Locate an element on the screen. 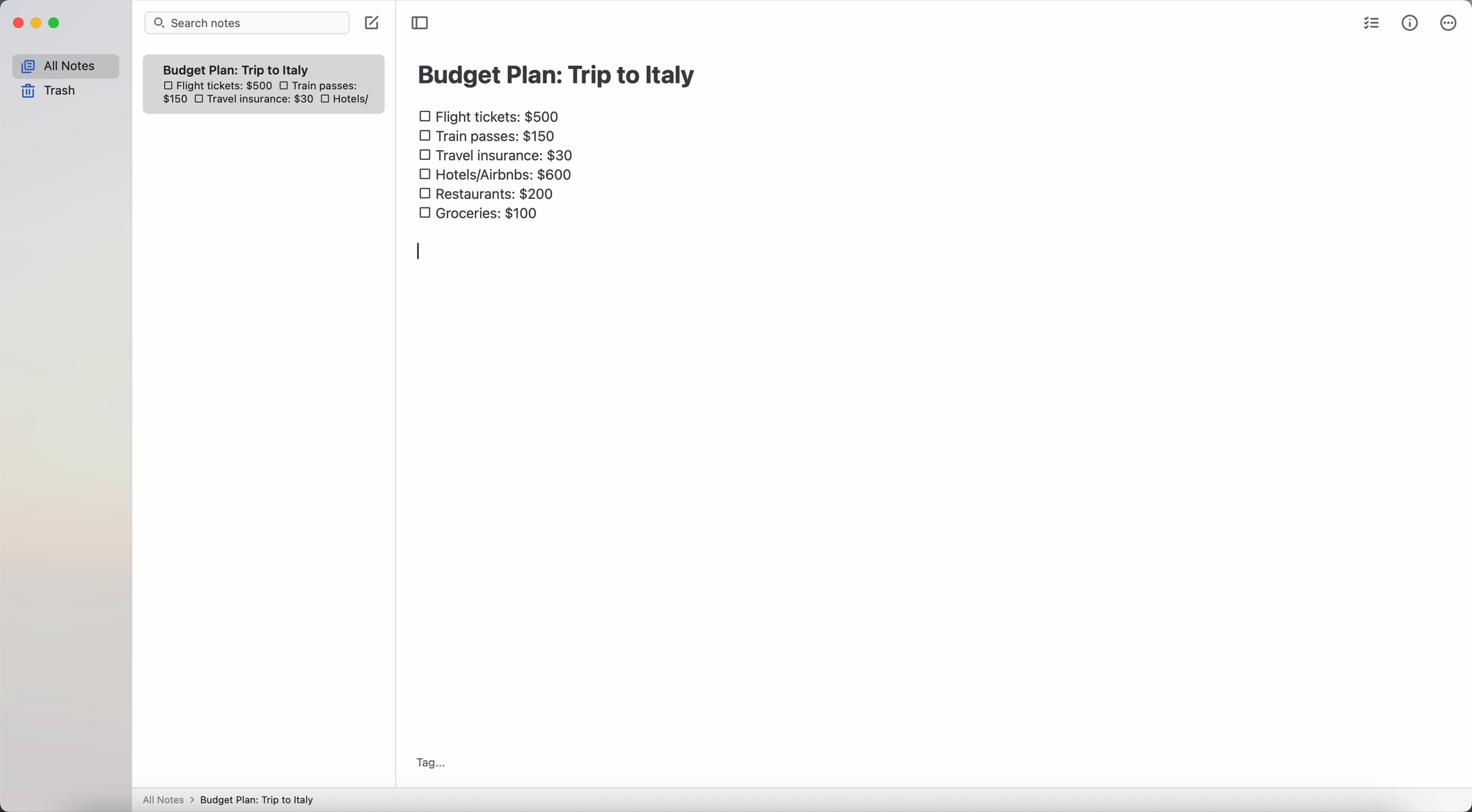 Image resolution: width=1472 pixels, height=812 pixels. all notes is located at coordinates (65, 66).